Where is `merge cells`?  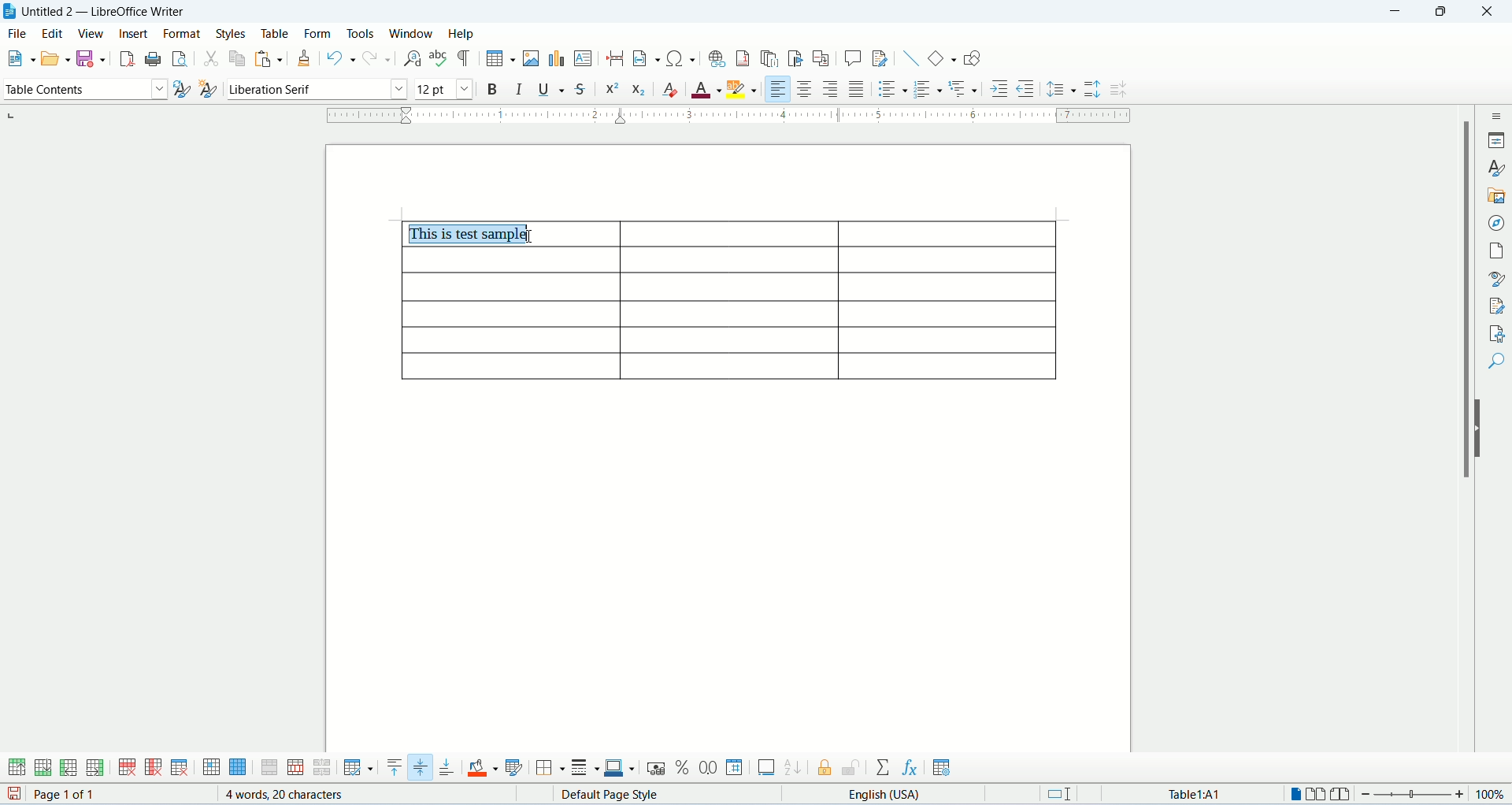
merge cells is located at coordinates (270, 769).